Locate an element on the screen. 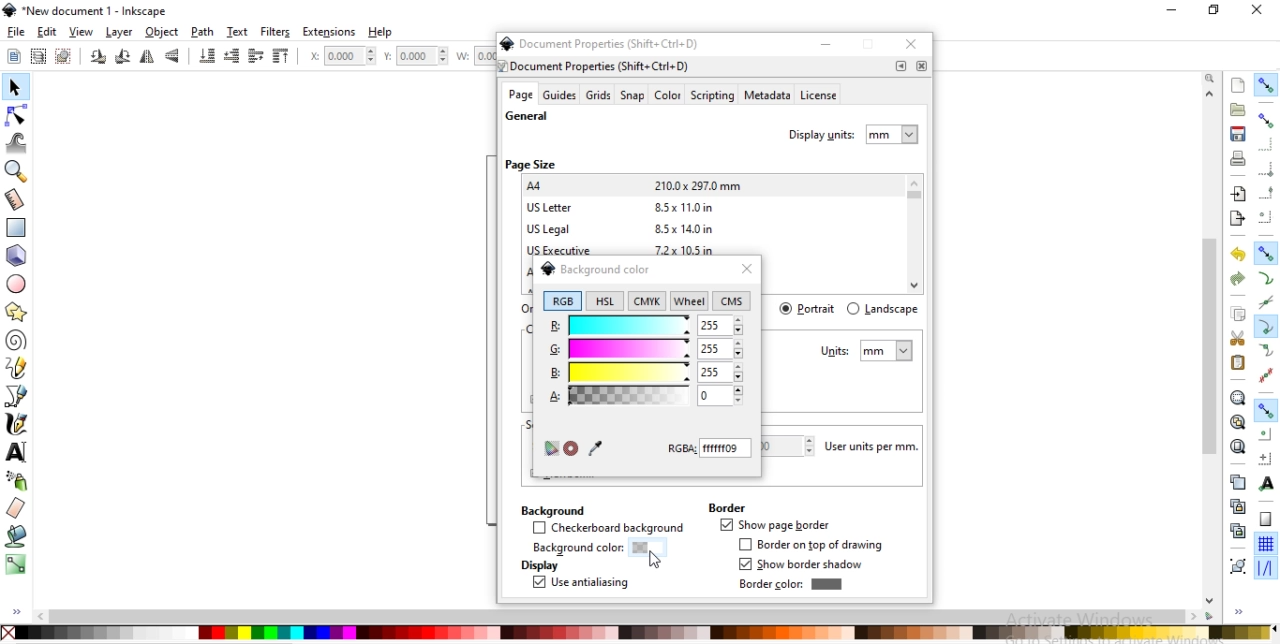 This screenshot has width=1280, height=644. measurement tools is located at coordinates (18, 200).